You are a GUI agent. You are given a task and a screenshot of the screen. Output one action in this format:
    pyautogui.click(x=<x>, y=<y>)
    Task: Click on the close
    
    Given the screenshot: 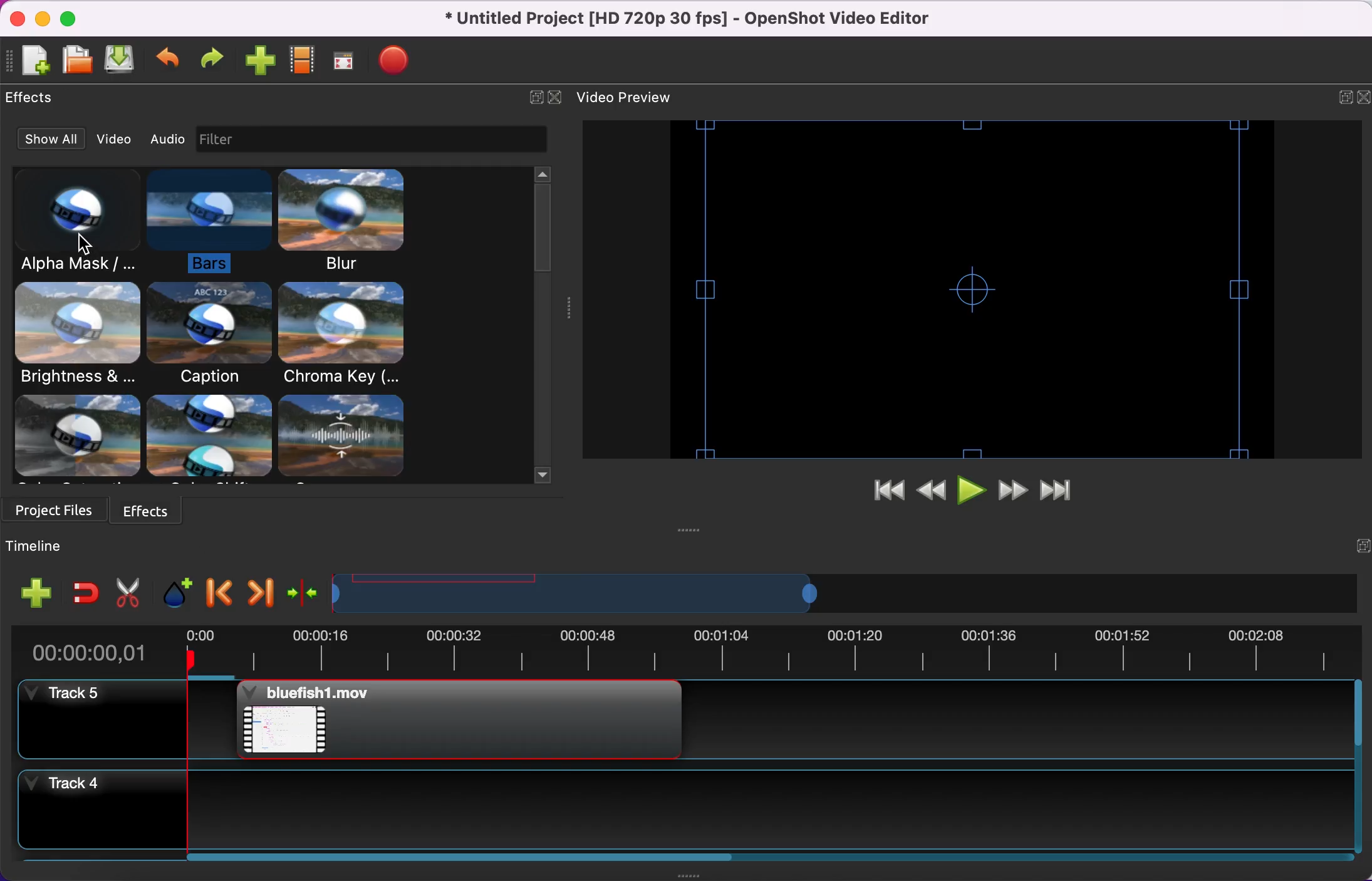 What is the action you would take?
    pyautogui.click(x=556, y=100)
    